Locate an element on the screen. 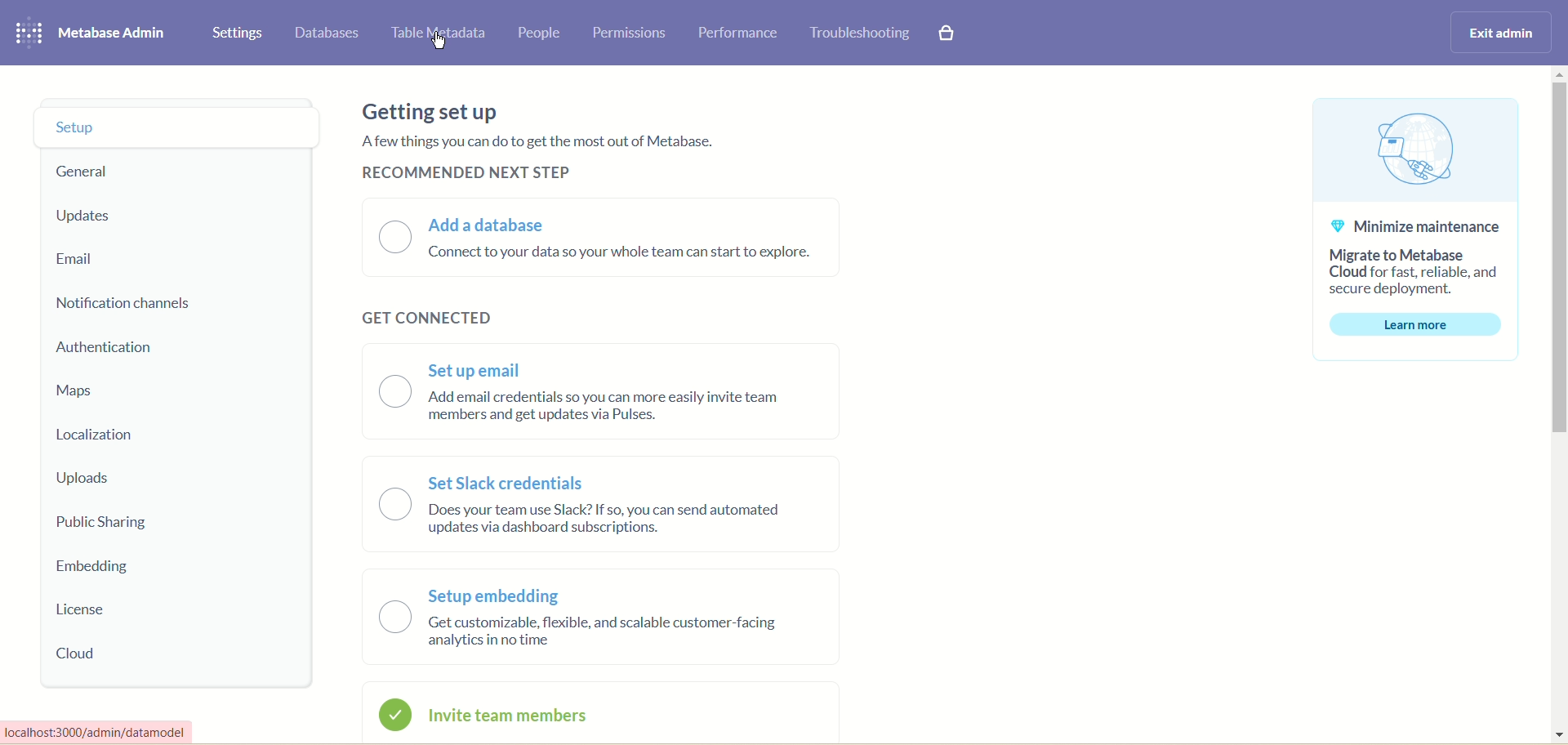 The width and height of the screenshot is (1568, 745). Minimize maintenance. Migrate to Metabase. Cloud for fast, reliable, and secure deployment. is located at coordinates (1416, 256).